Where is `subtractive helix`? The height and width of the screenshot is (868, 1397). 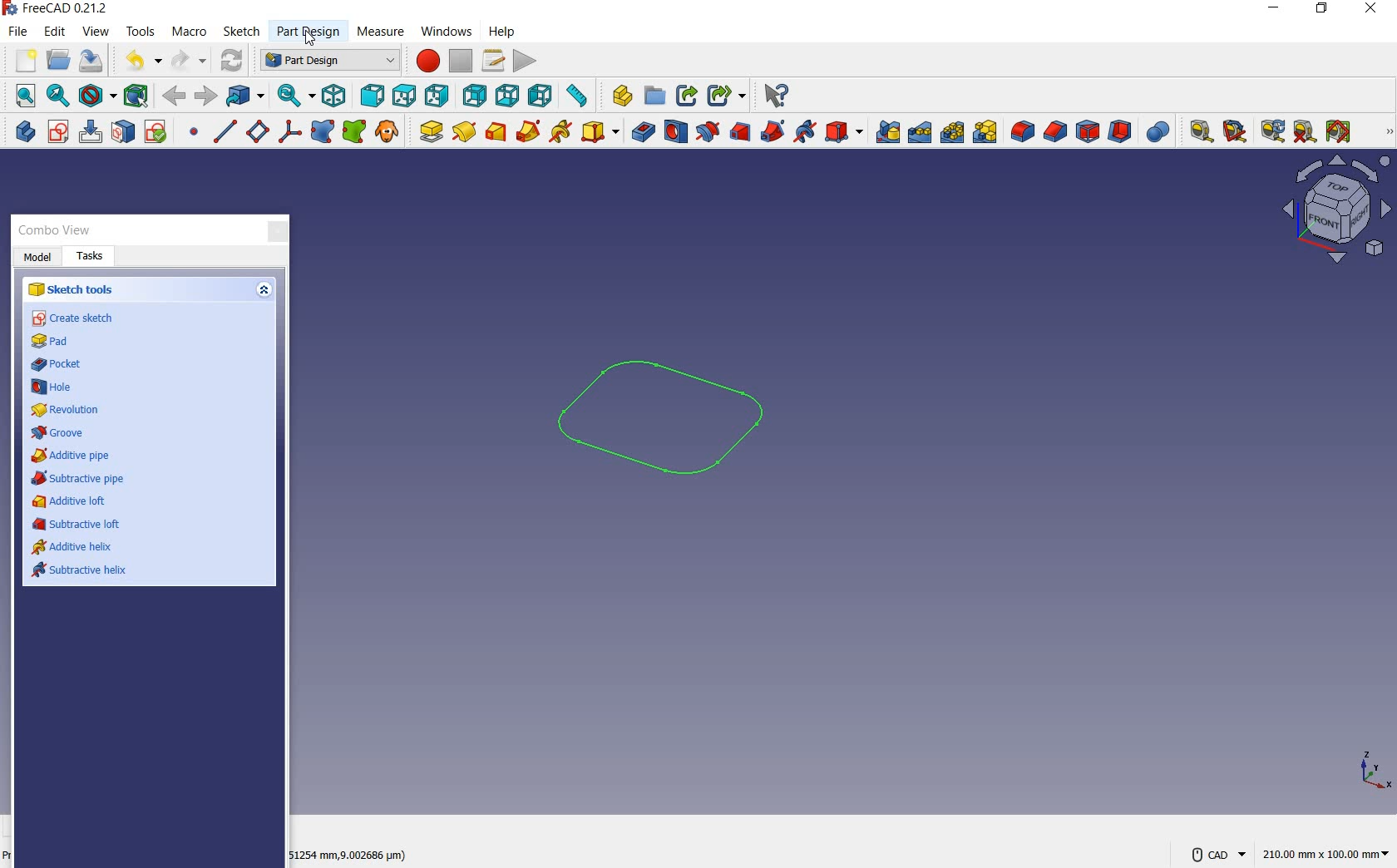
subtractive helix is located at coordinates (804, 132).